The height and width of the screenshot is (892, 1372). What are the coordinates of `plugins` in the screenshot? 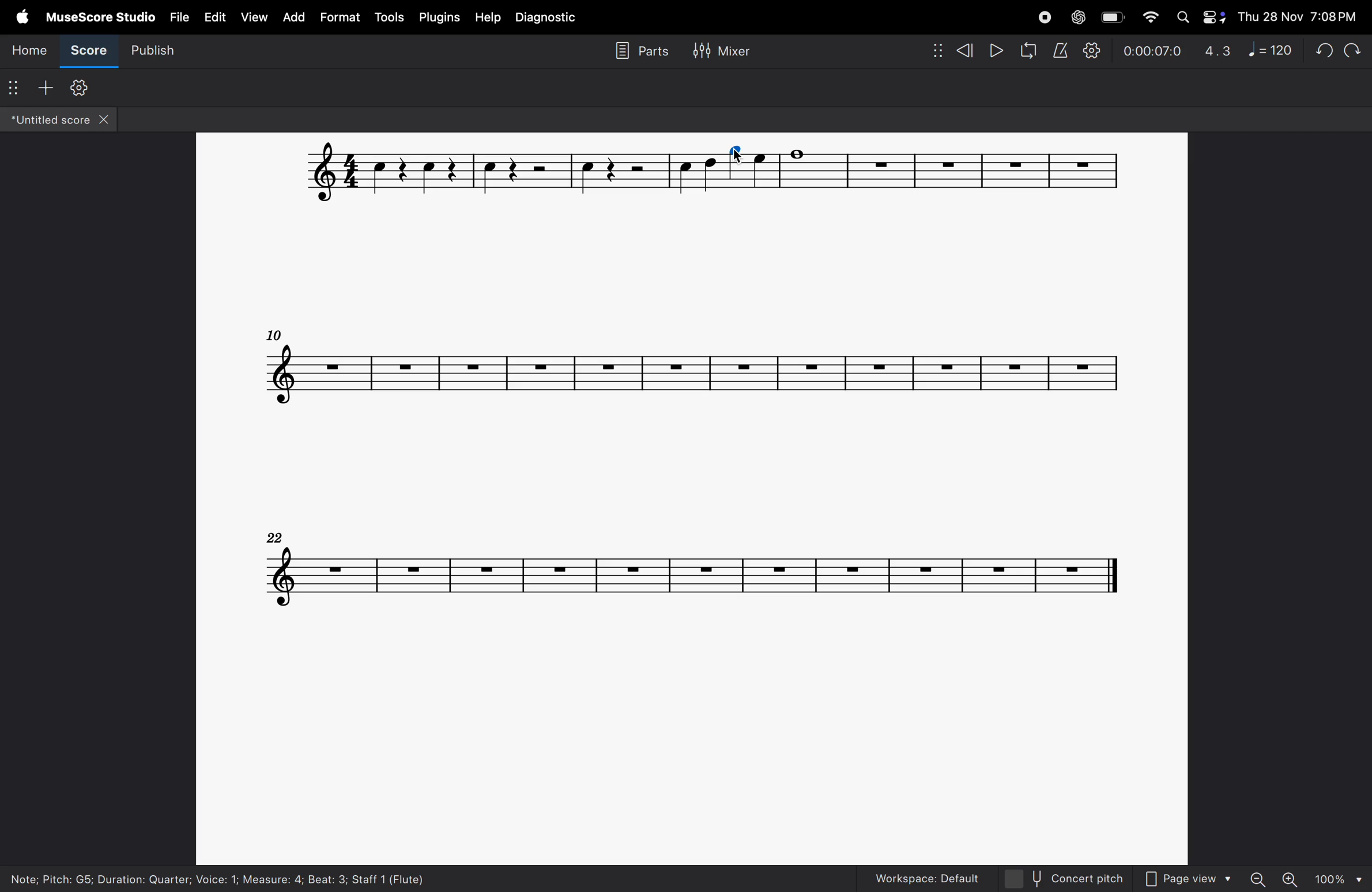 It's located at (439, 17).